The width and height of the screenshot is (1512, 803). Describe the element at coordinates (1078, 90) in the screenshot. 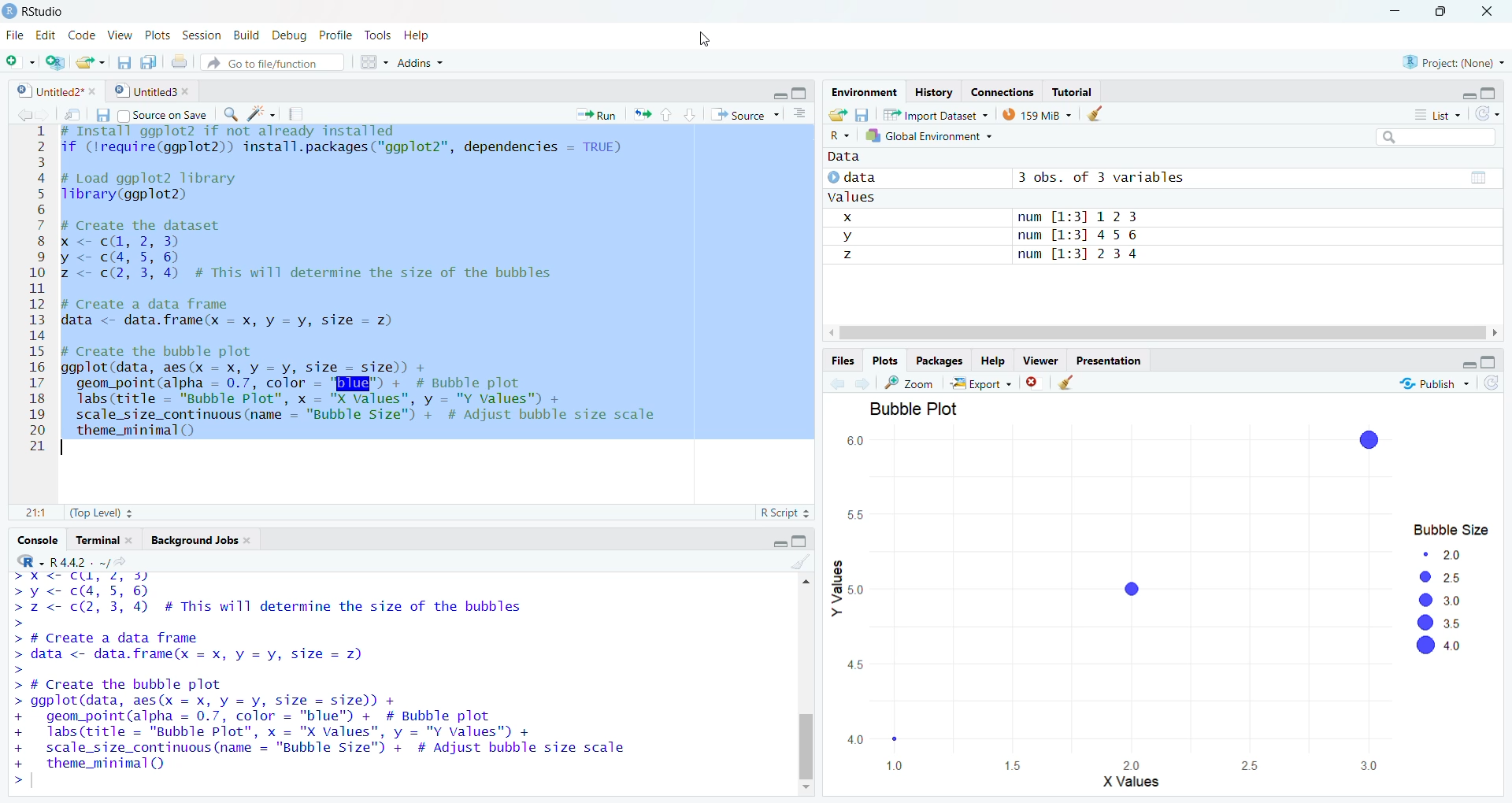

I see `Tutorial` at that location.